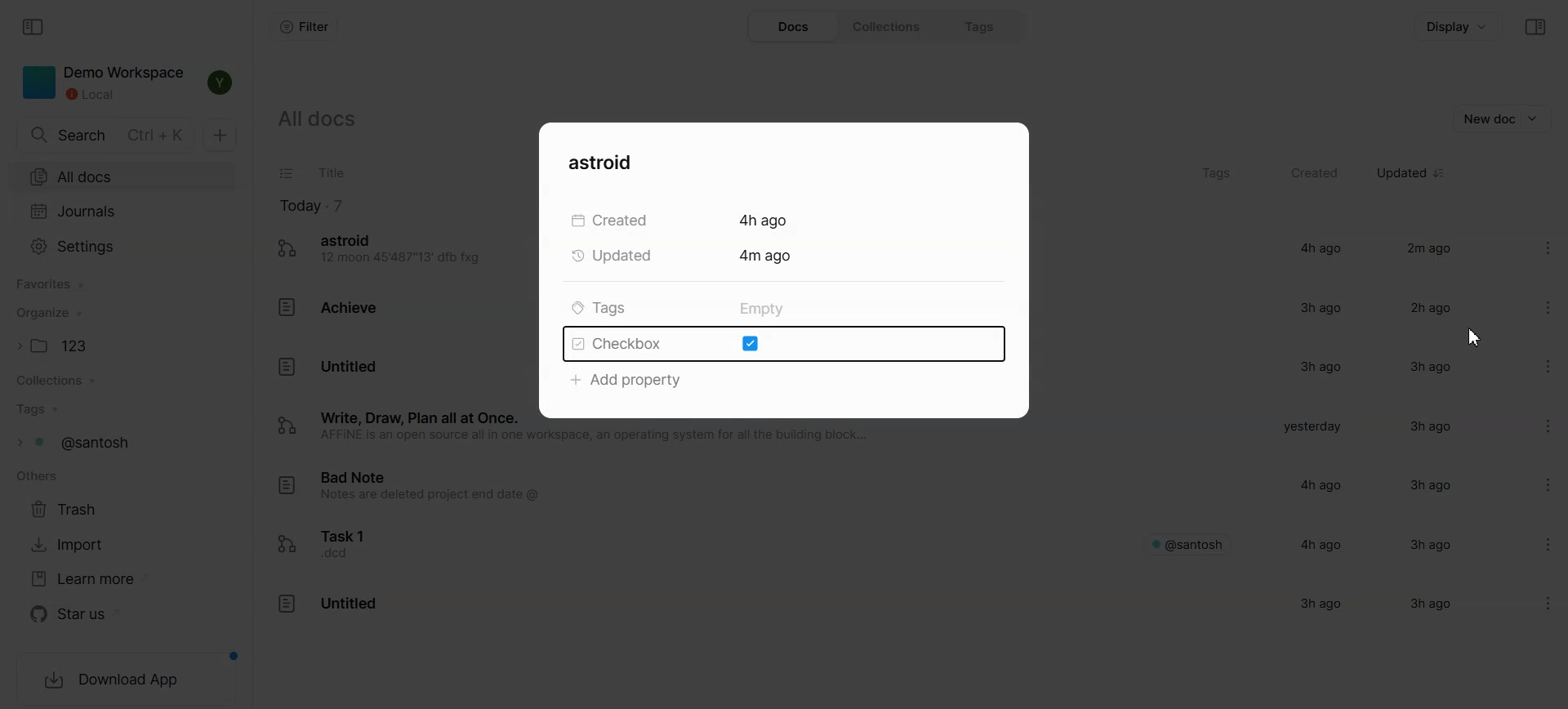  Describe the element at coordinates (125, 681) in the screenshot. I see `Download App` at that location.